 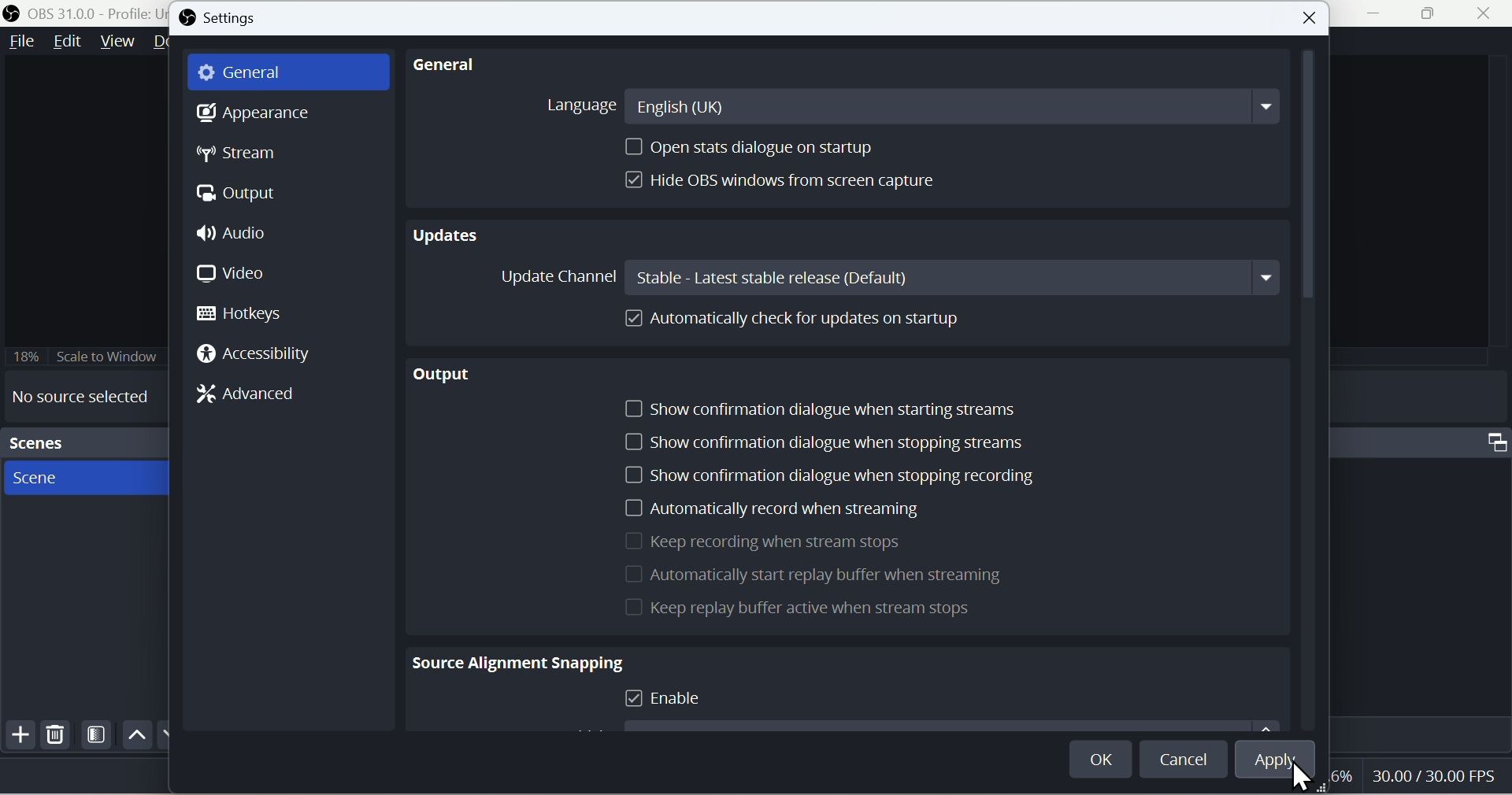 What do you see at coordinates (768, 510) in the screenshot?
I see `Automatically record when is streaming` at bounding box center [768, 510].